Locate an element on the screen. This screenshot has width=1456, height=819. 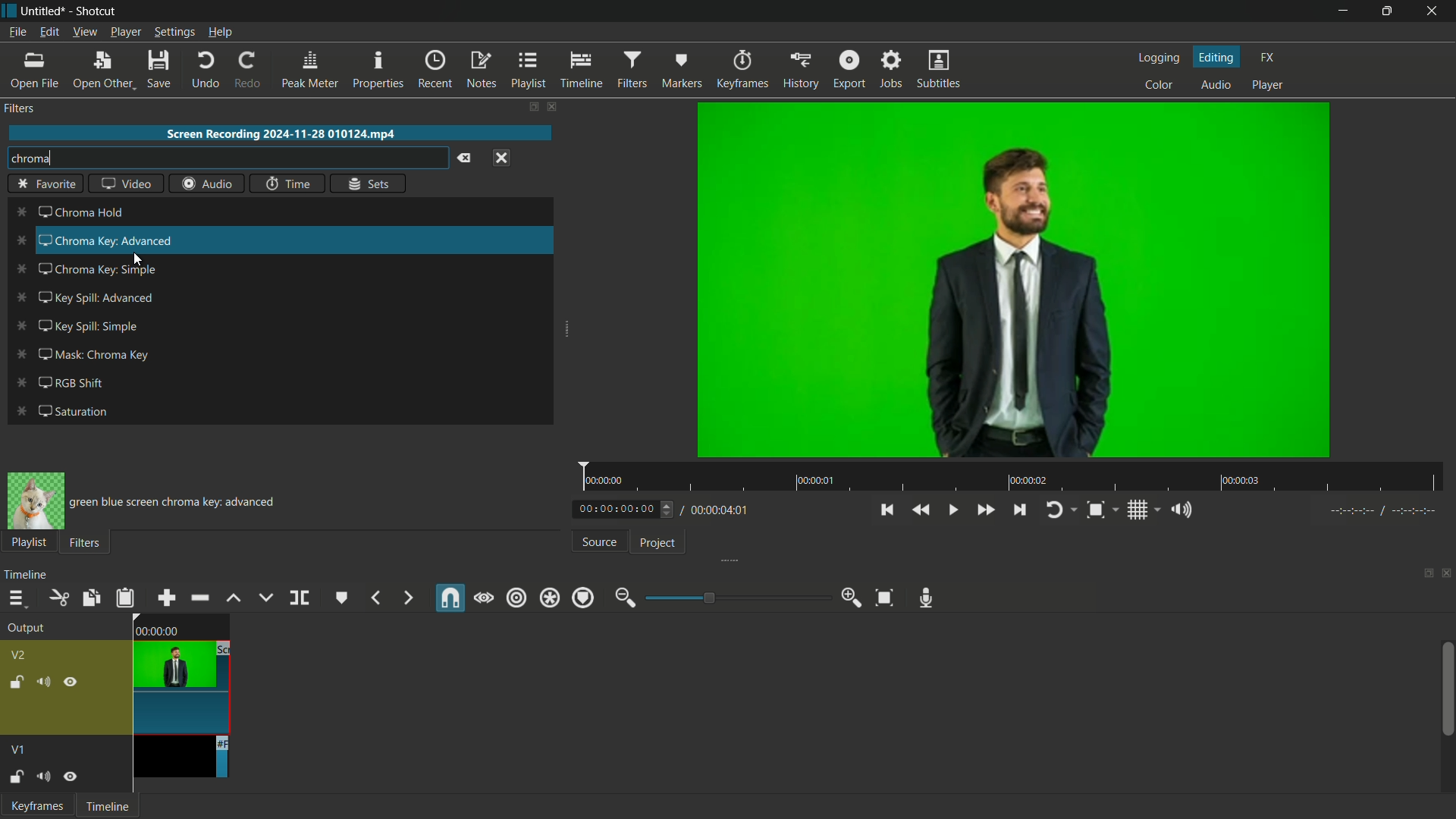
properties is located at coordinates (377, 70).